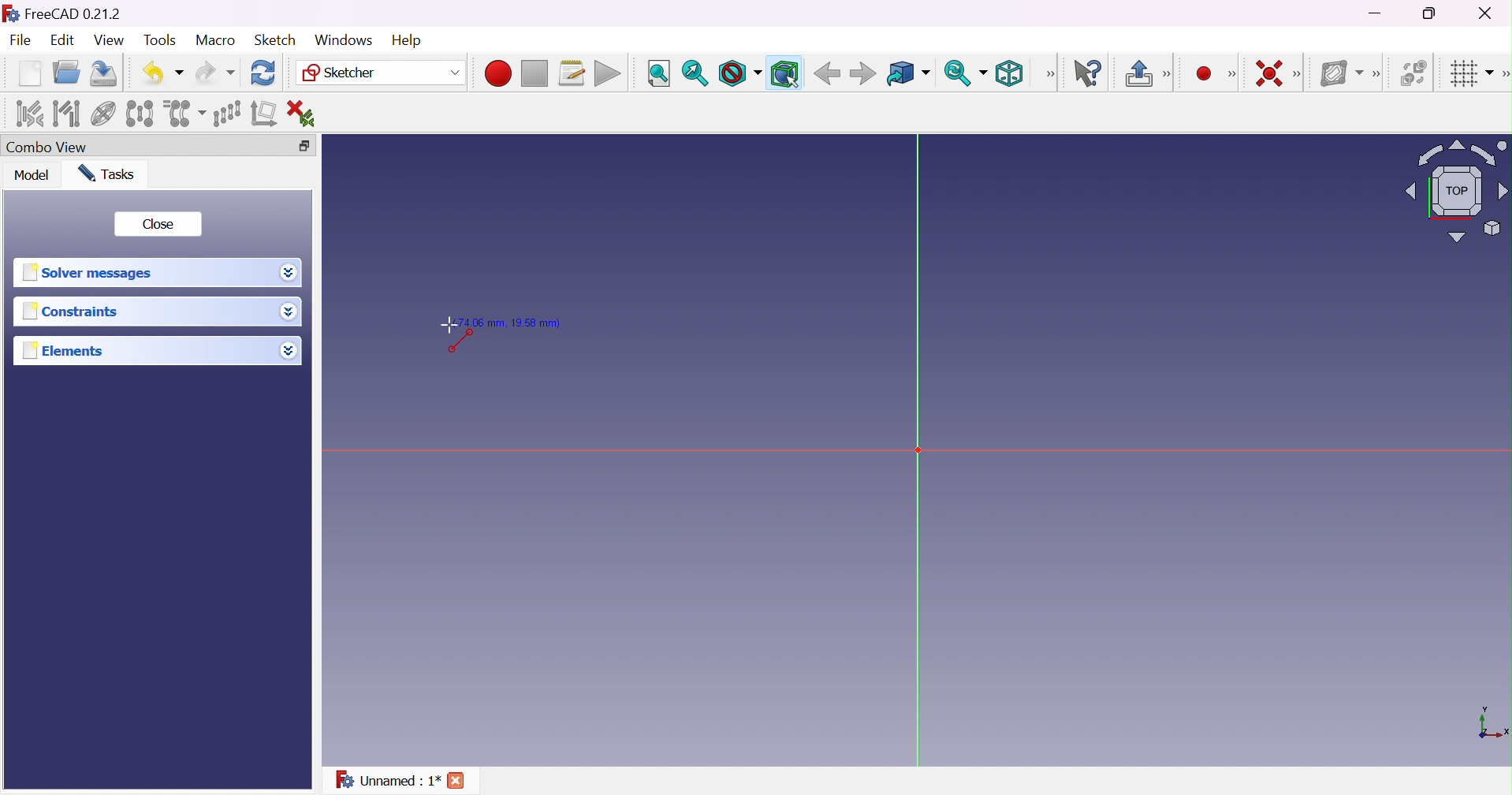 Image resolution: width=1512 pixels, height=795 pixels. Describe the element at coordinates (784, 73) in the screenshot. I see `Bounding box` at that location.